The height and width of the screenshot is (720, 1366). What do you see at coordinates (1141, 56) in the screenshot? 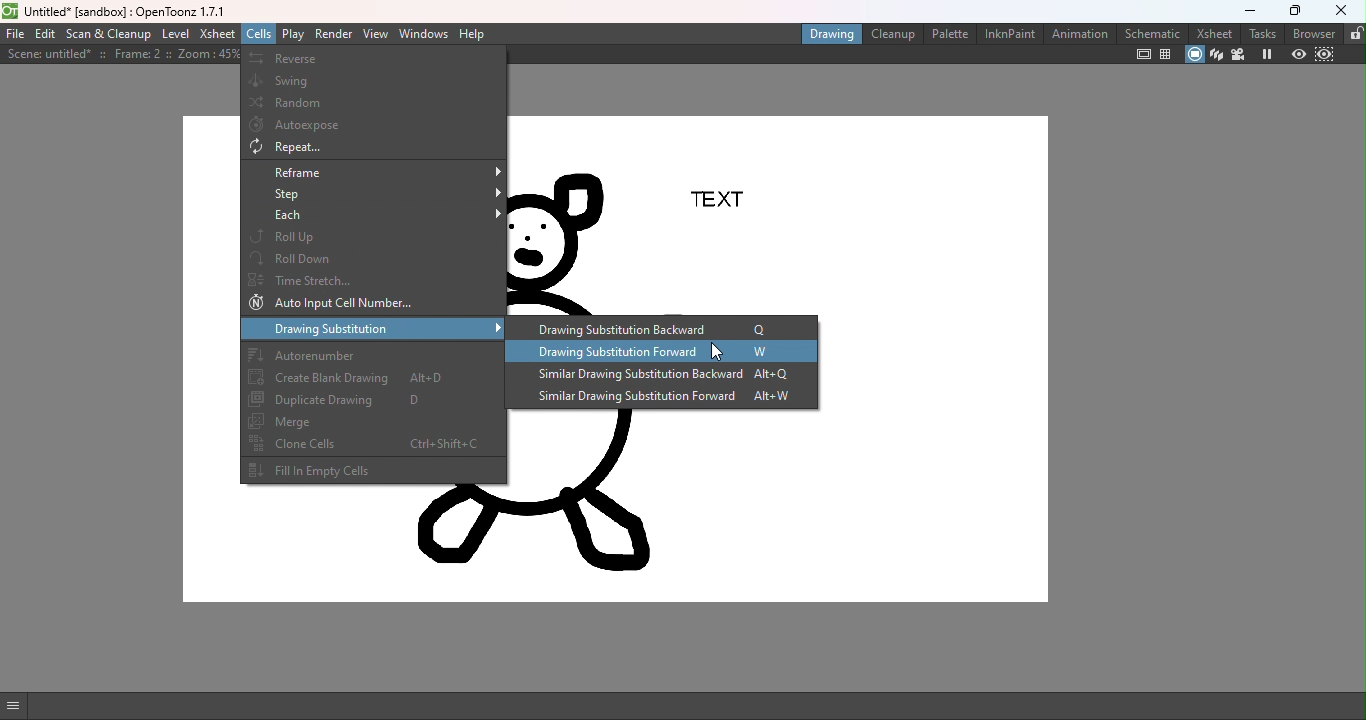
I see `Safe area` at bounding box center [1141, 56].